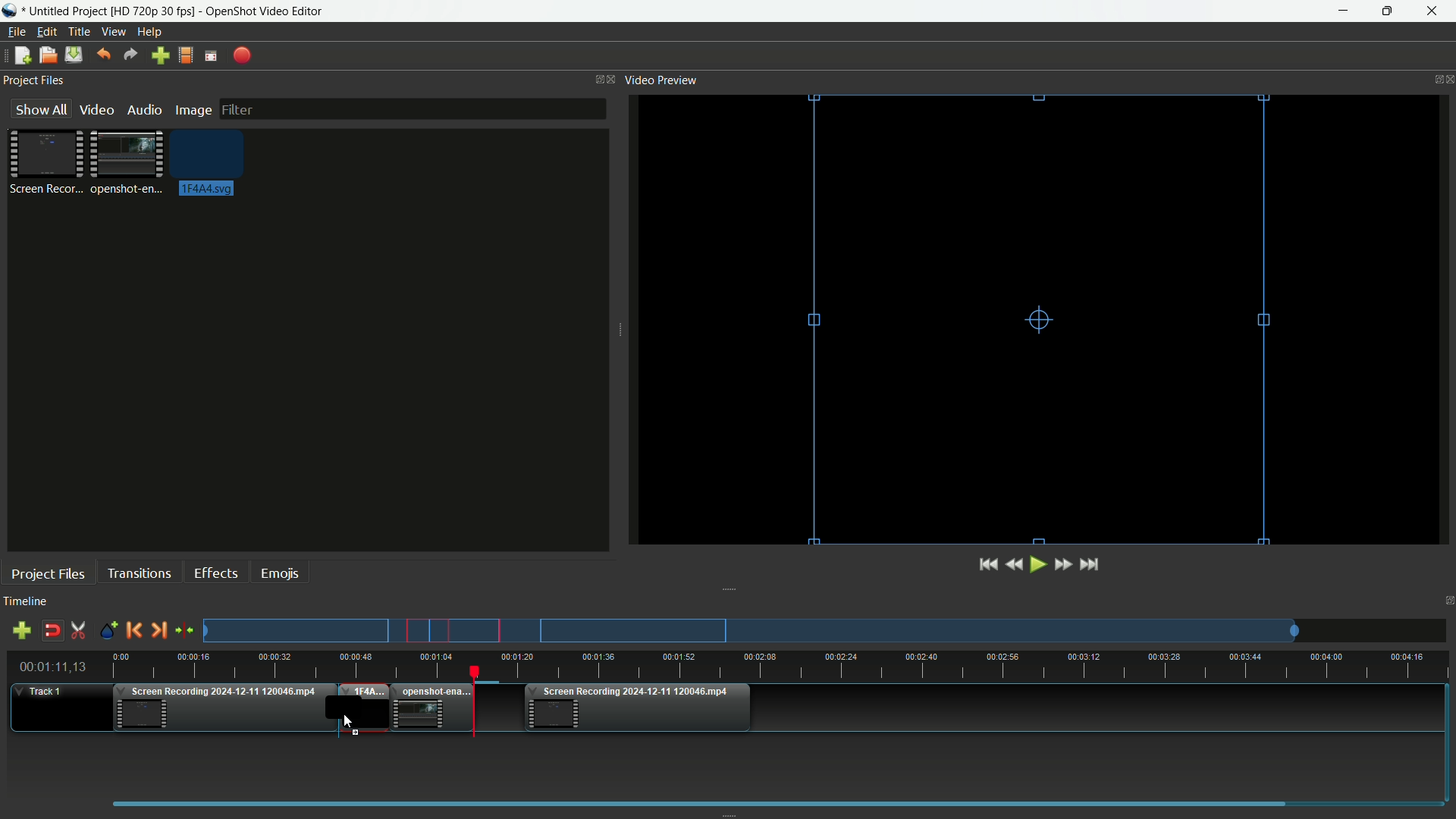  Describe the element at coordinates (661, 79) in the screenshot. I see `Video preview` at that location.